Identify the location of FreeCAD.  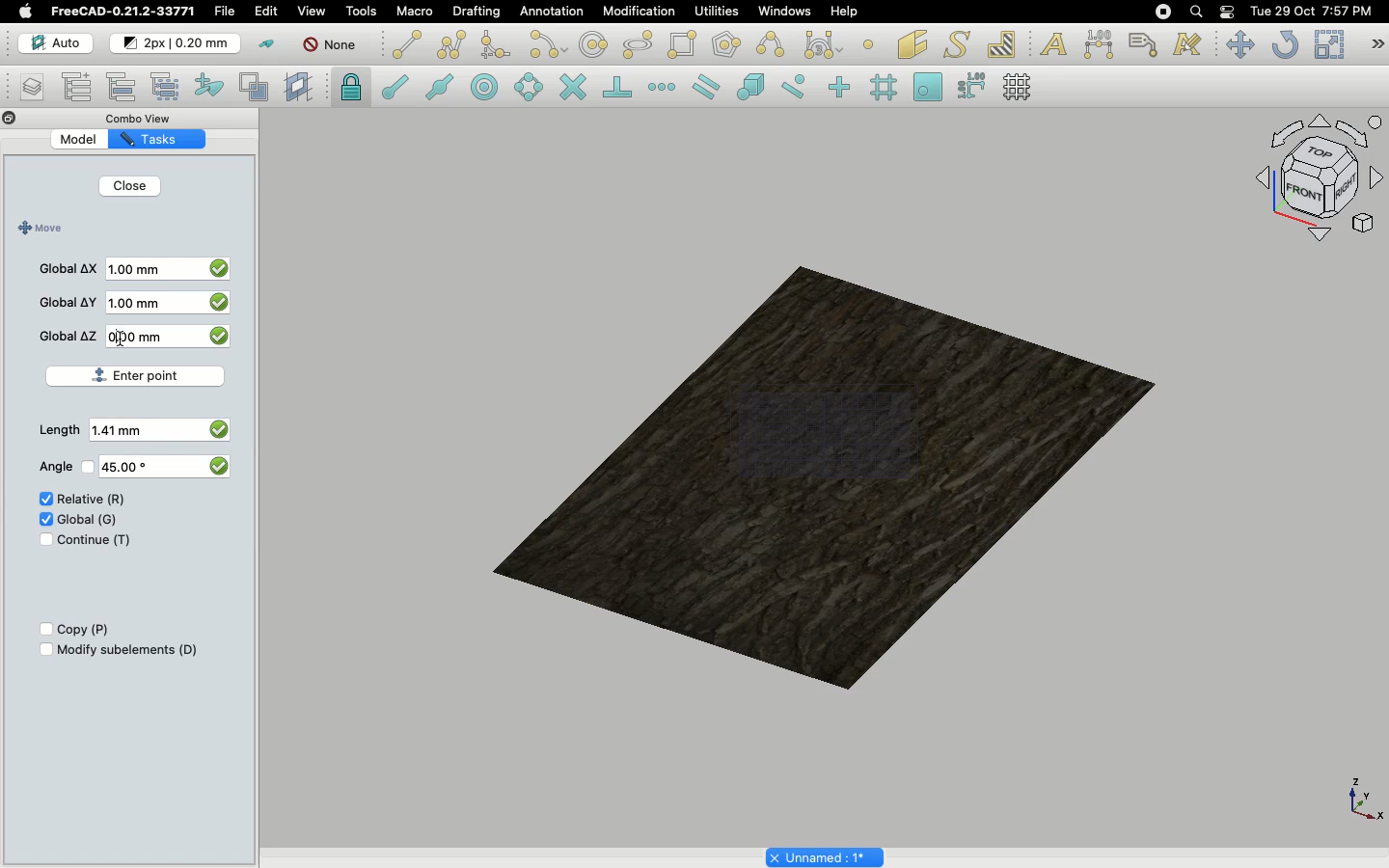
(124, 12).